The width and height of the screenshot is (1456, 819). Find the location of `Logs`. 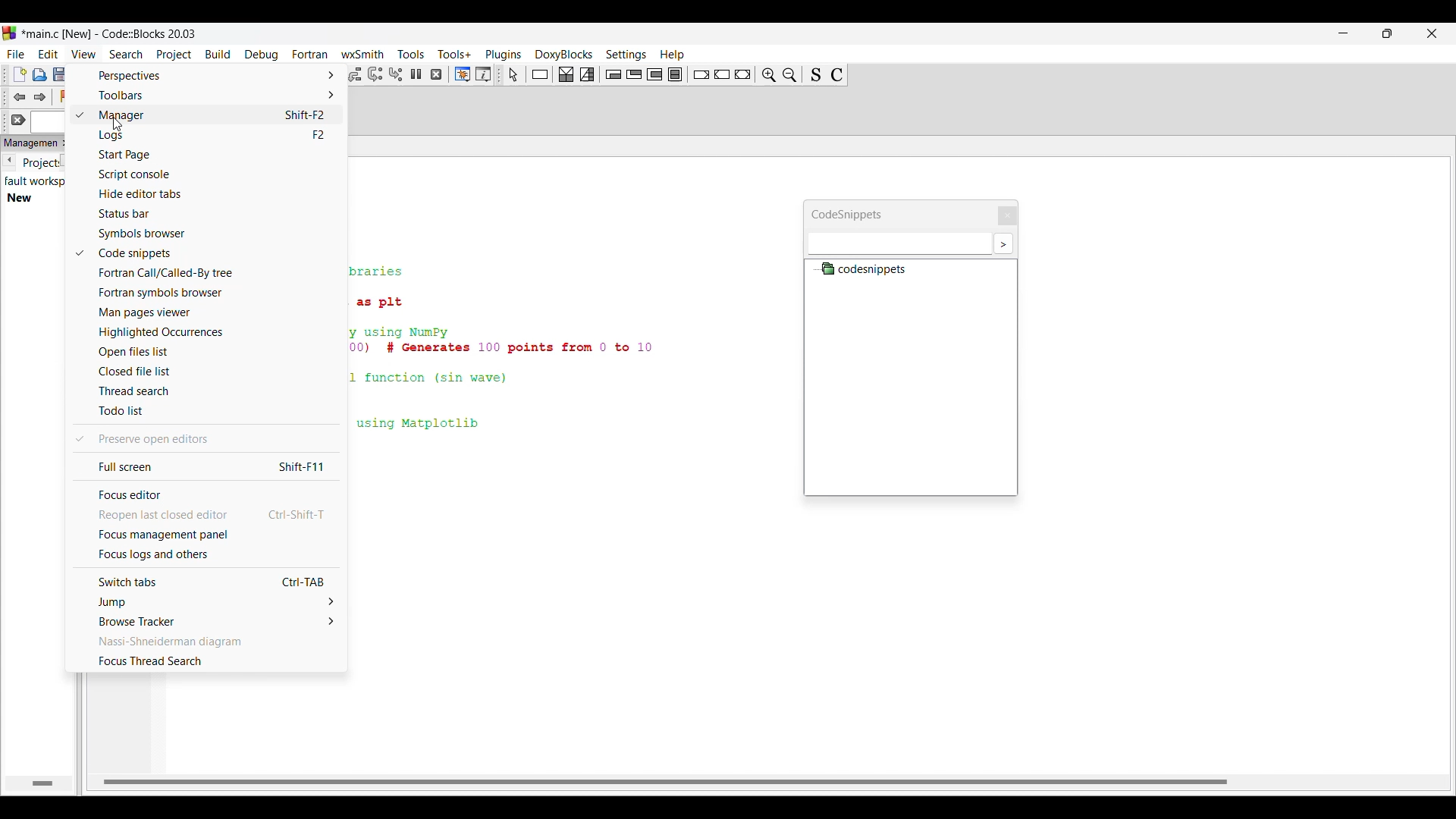

Logs is located at coordinates (217, 136).